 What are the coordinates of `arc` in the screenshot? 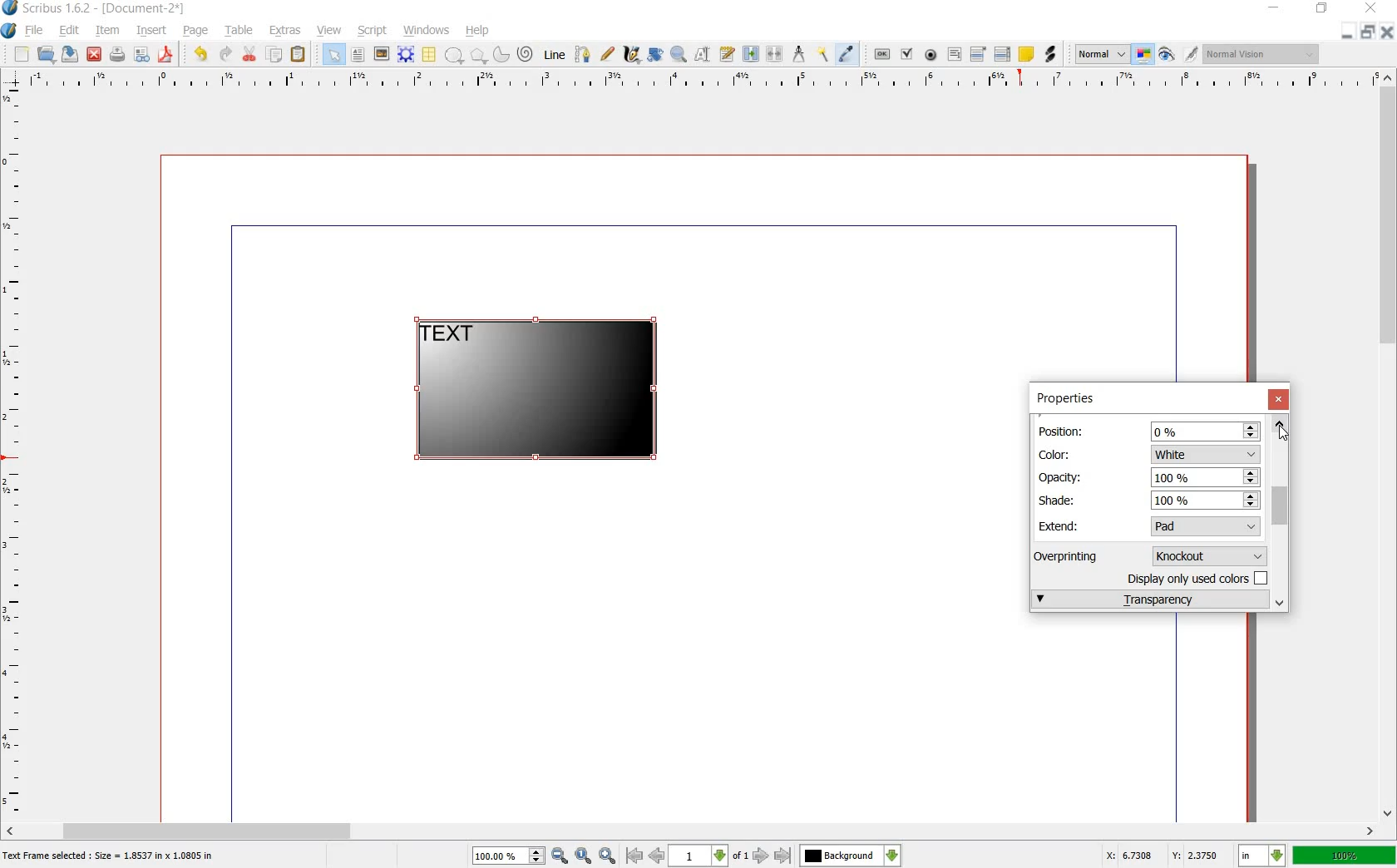 It's located at (500, 53).